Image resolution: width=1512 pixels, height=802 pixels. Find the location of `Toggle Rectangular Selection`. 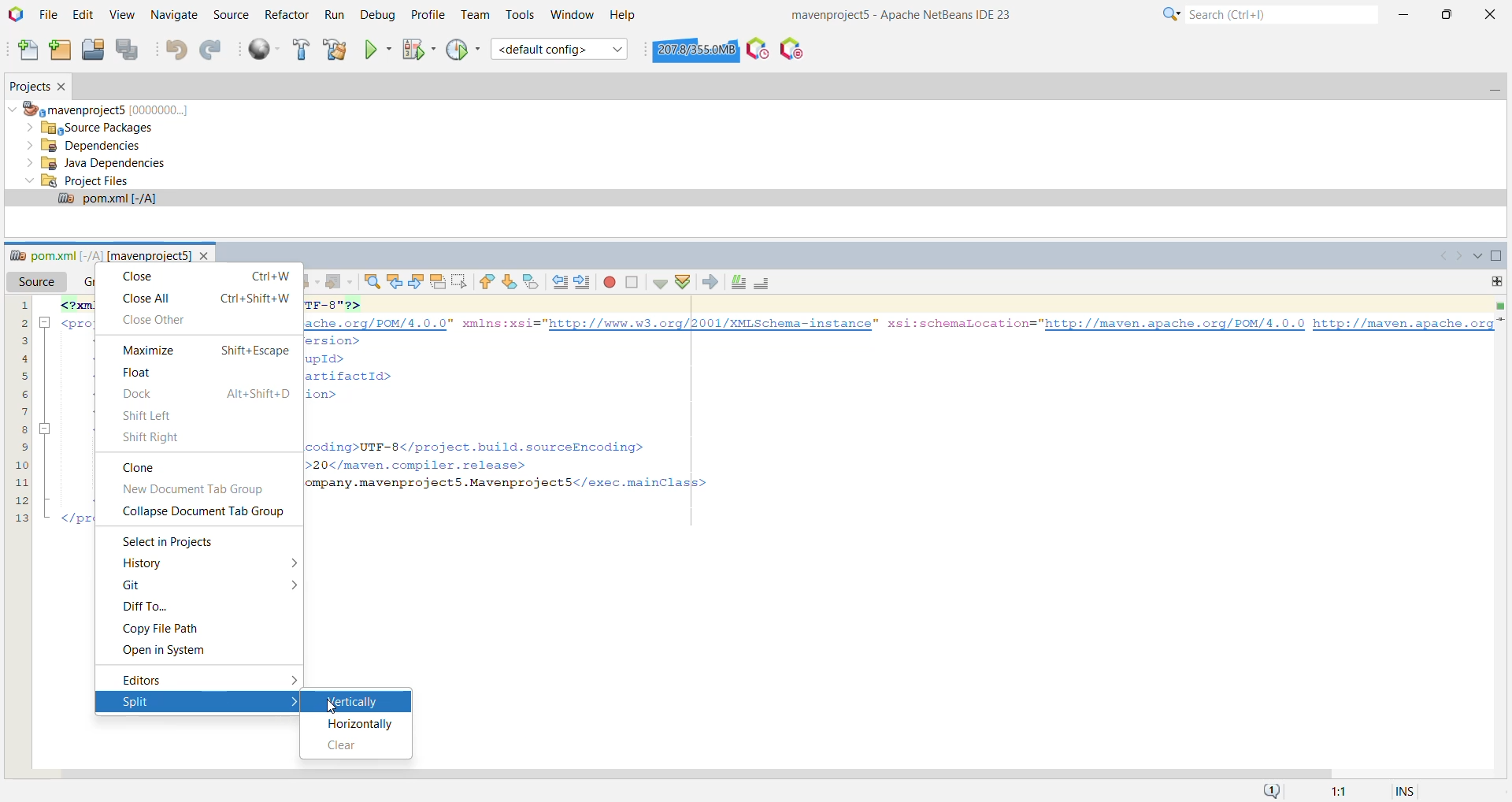

Toggle Rectangular Selection is located at coordinates (461, 281).